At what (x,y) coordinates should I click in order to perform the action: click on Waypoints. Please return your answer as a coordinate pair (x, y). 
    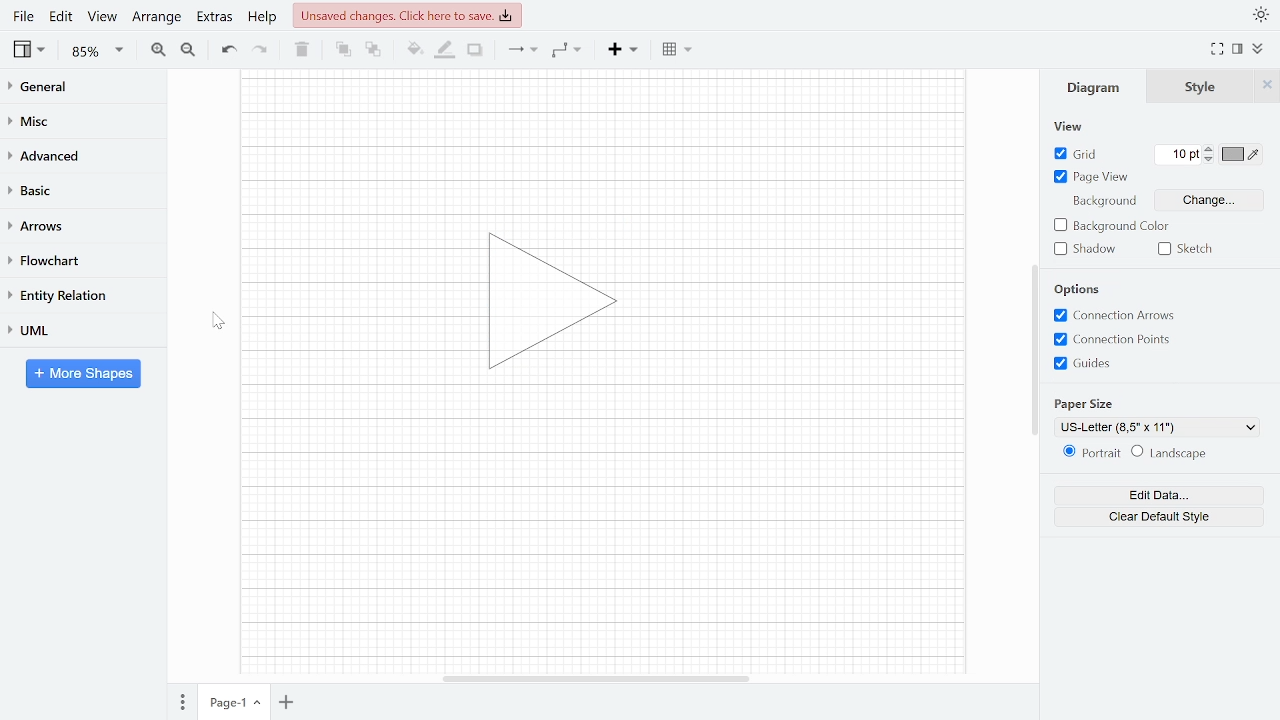
    Looking at the image, I should click on (568, 49).